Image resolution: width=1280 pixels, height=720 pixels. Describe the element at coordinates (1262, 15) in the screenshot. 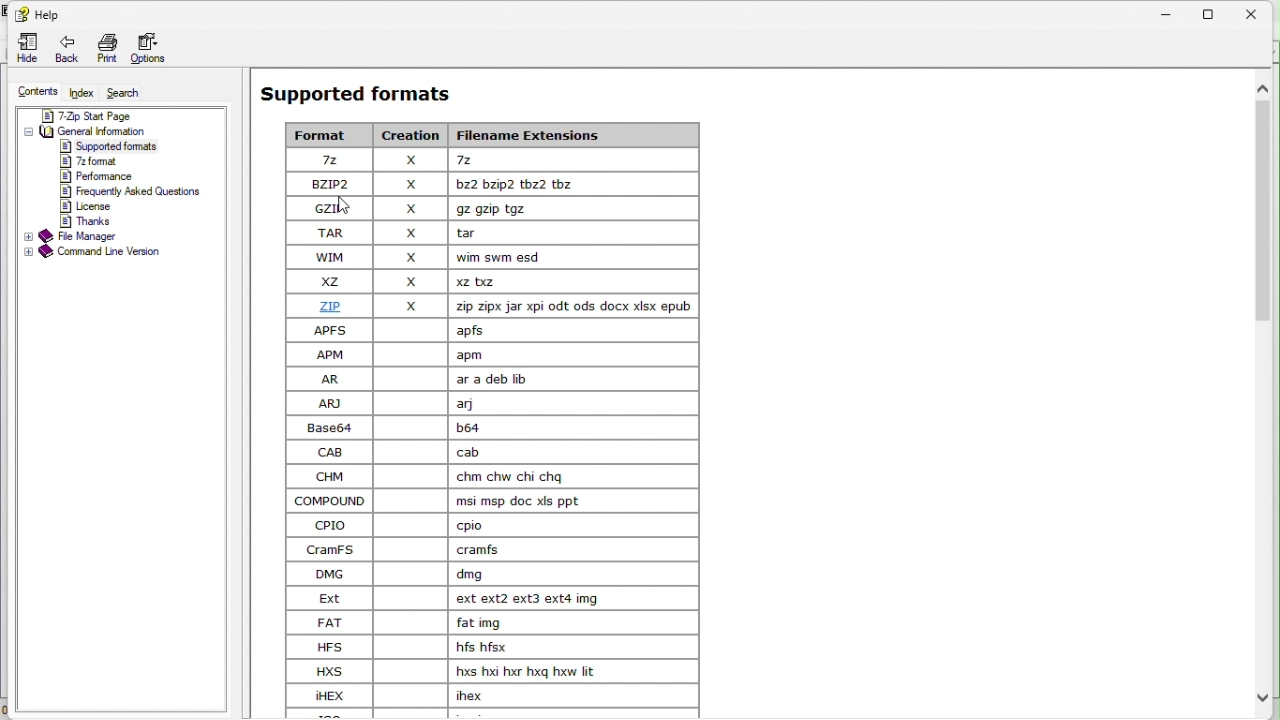

I see `close` at that location.